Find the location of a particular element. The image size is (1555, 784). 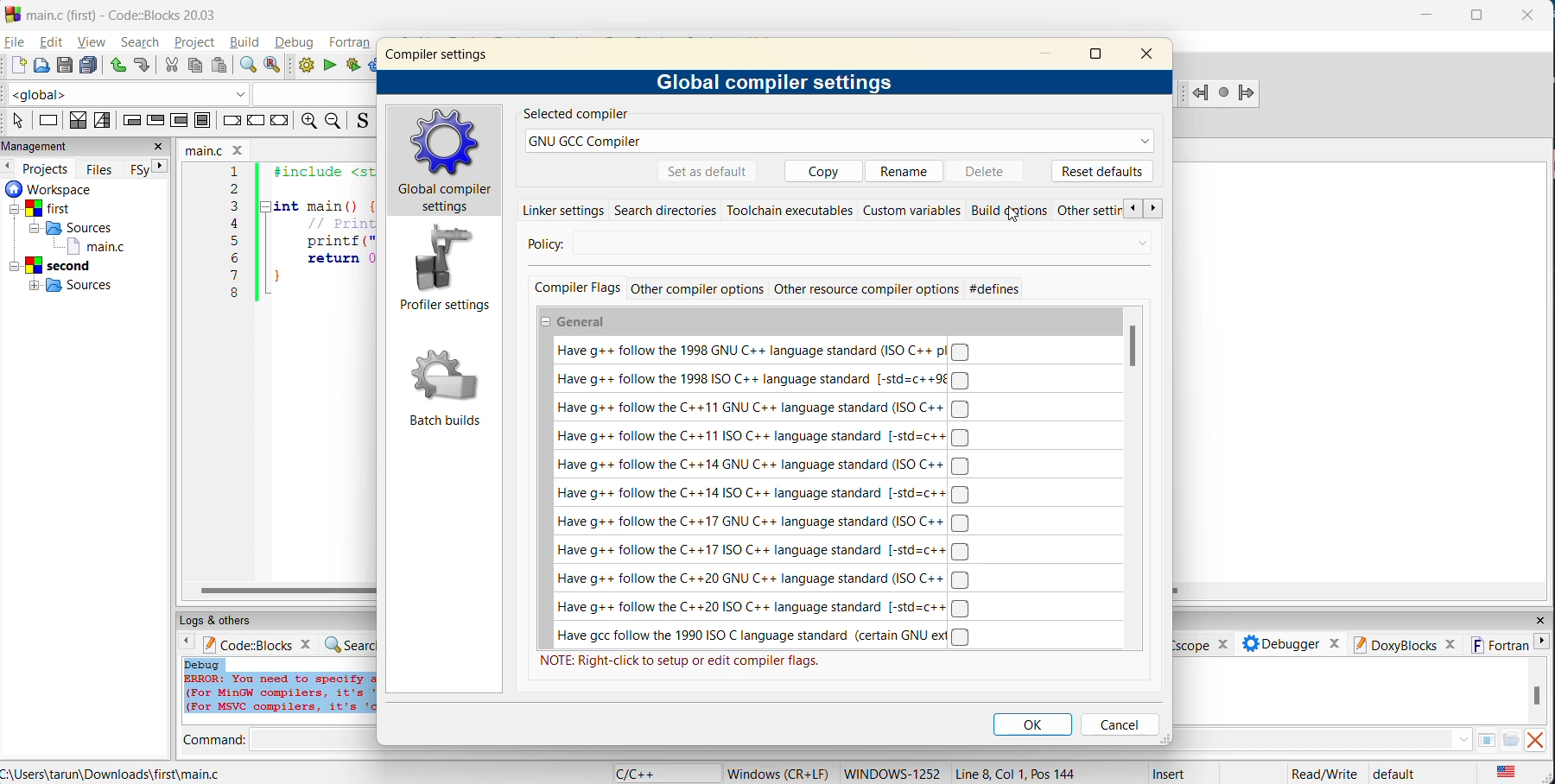

default is located at coordinates (1396, 774).